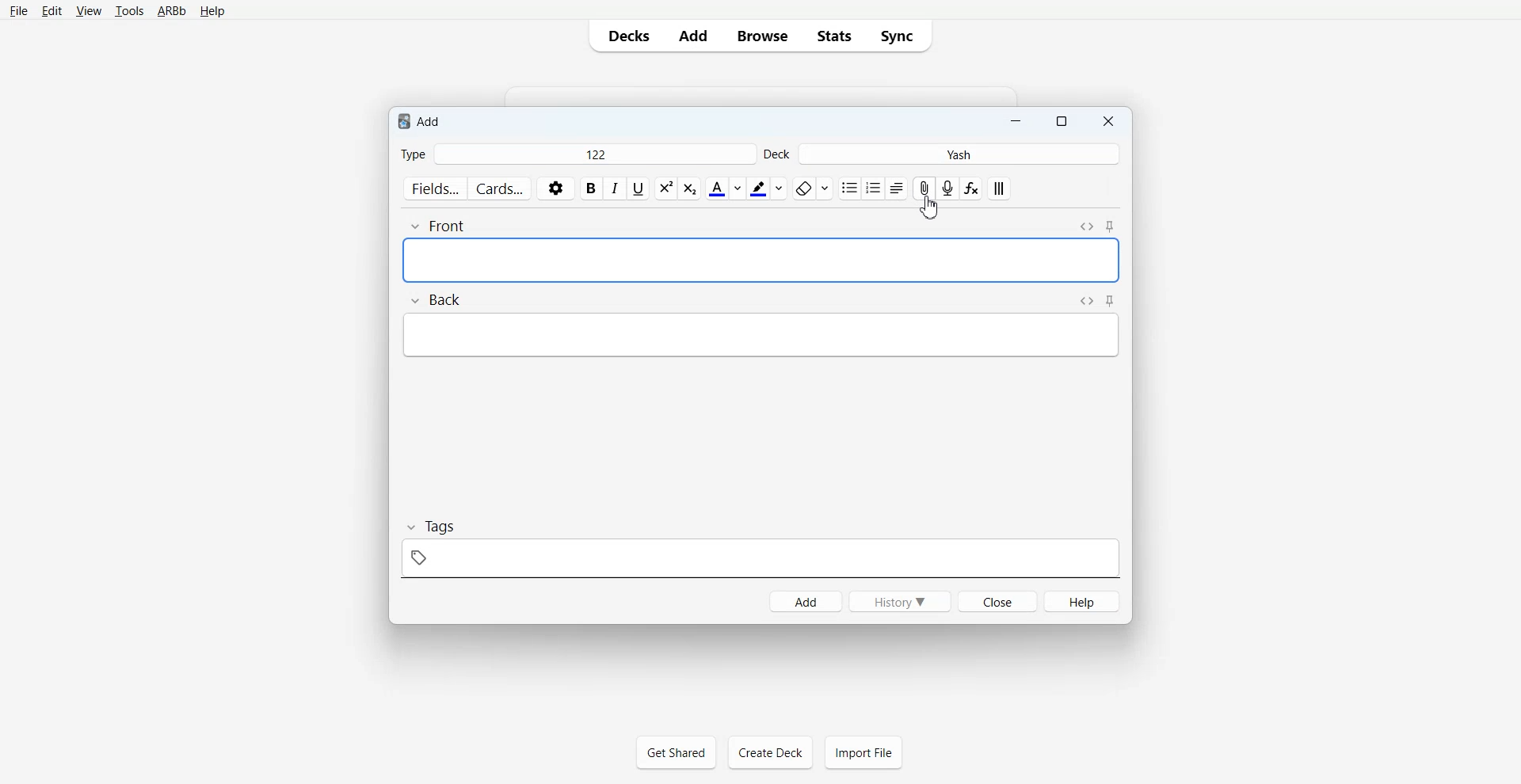  Describe the element at coordinates (726, 254) in the screenshot. I see `Front` at that location.